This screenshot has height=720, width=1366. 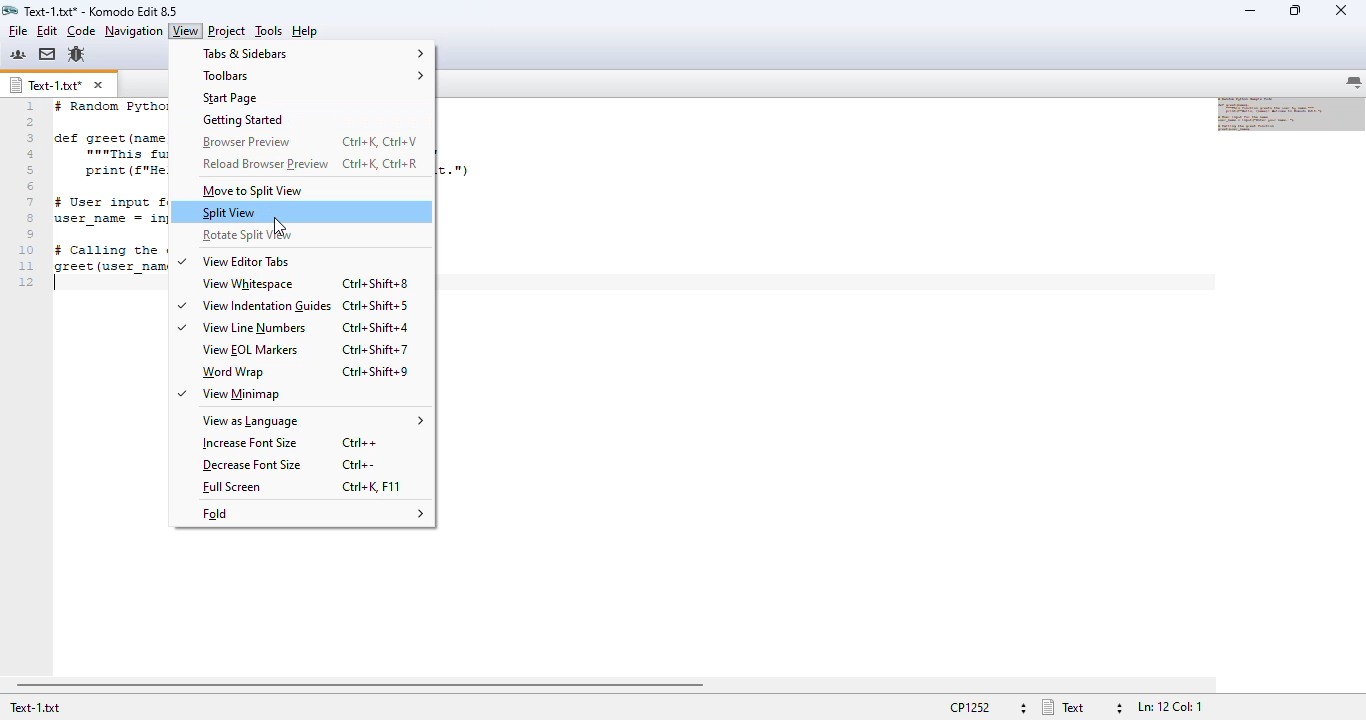 What do you see at coordinates (1170, 708) in the screenshot?
I see `file position` at bounding box center [1170, 708].